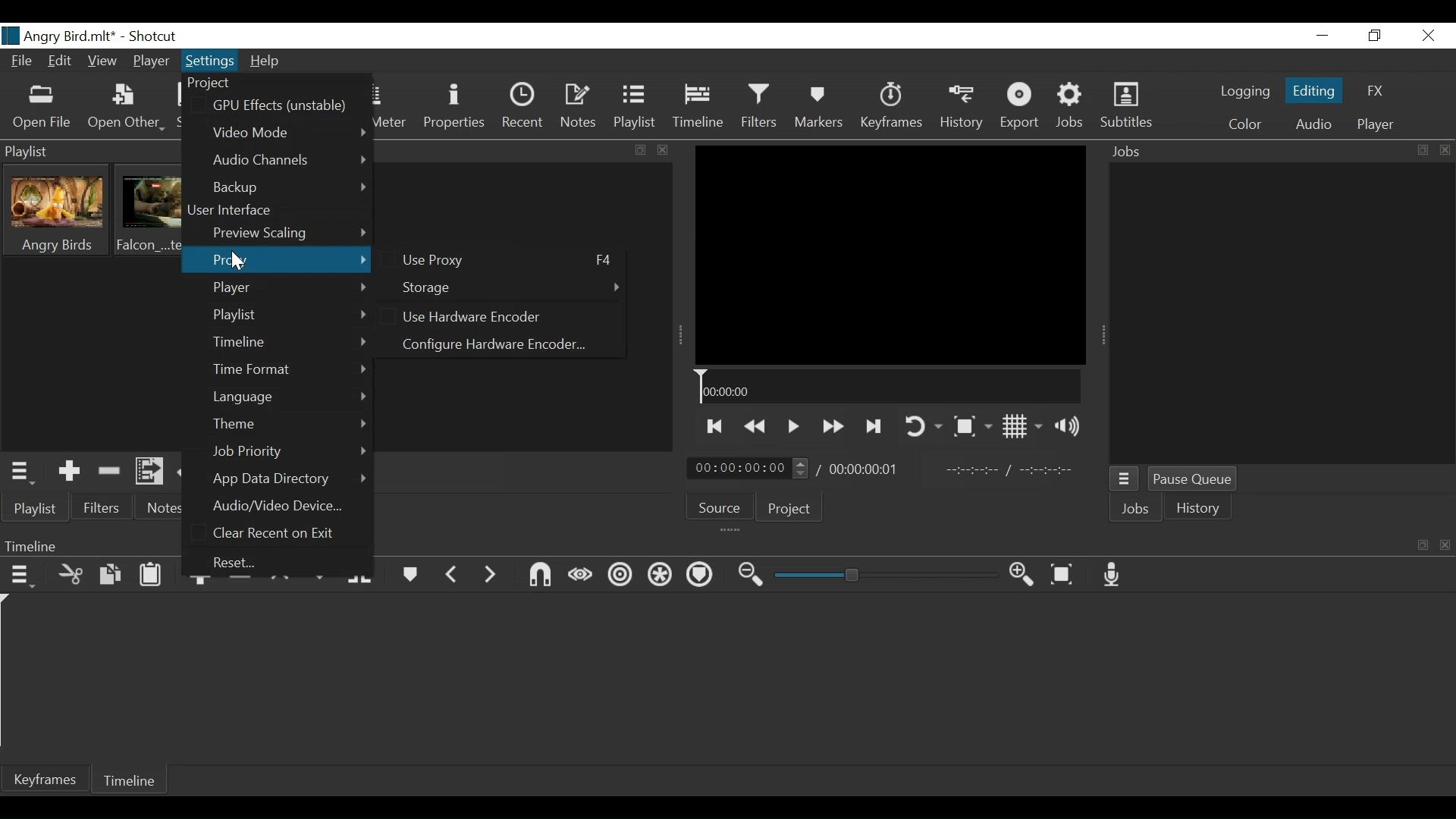 The height and width of the screenshot is (819, 1456). Describe the element at coordinates (756, 426) in the screenshot. I see `Play backward quickly` at that location.